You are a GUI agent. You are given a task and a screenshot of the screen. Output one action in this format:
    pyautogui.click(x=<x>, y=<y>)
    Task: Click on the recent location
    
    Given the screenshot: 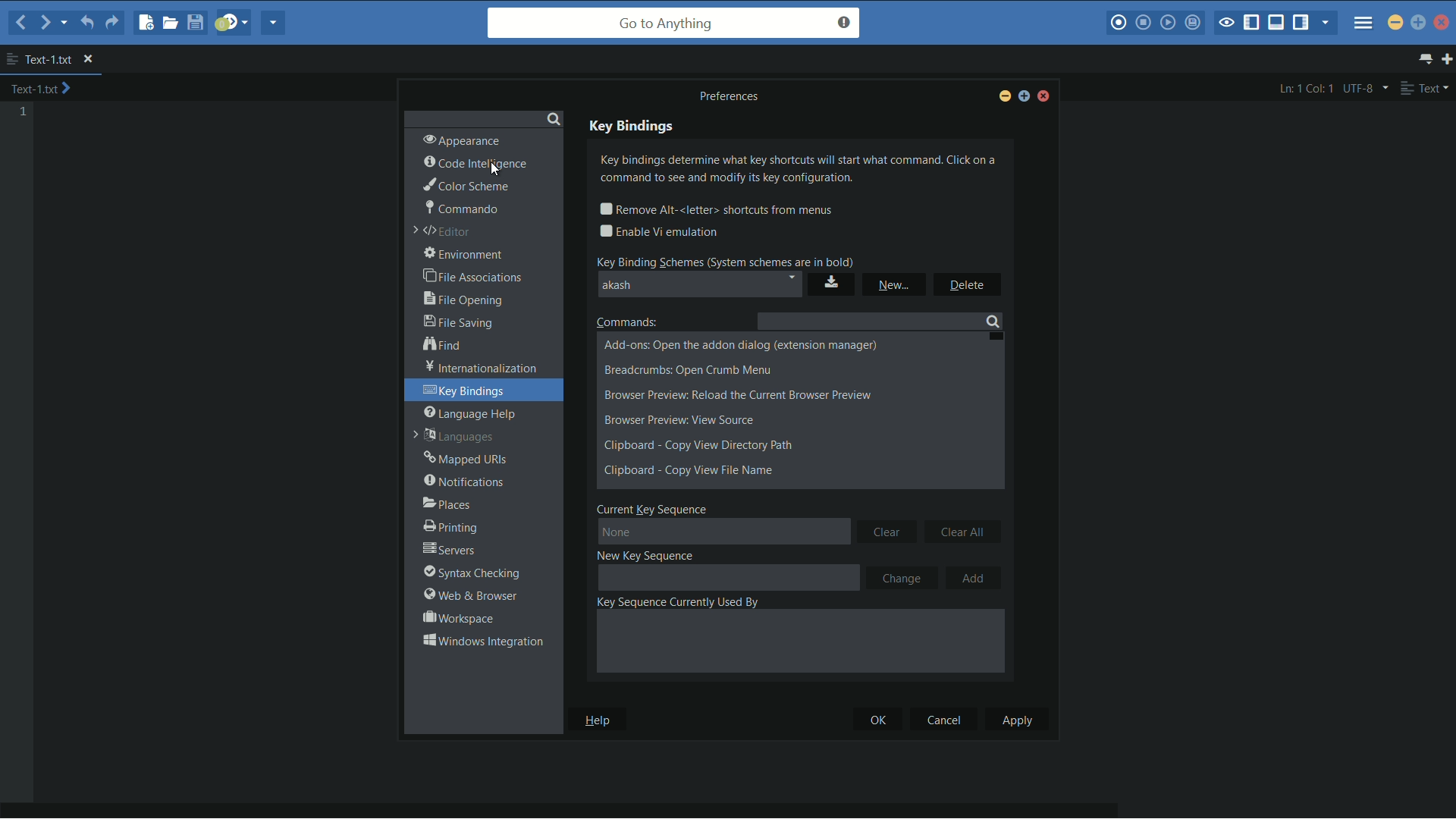 What is the action you would take?
    pyautogui.click(x=62, y=25)
    